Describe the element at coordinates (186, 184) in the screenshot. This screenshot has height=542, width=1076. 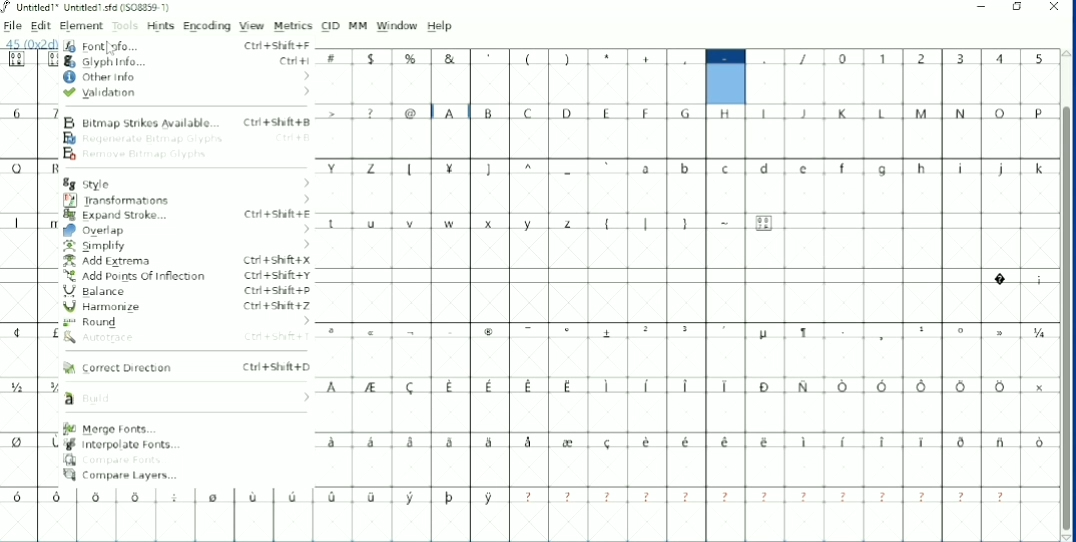
I see `Style` at that location.